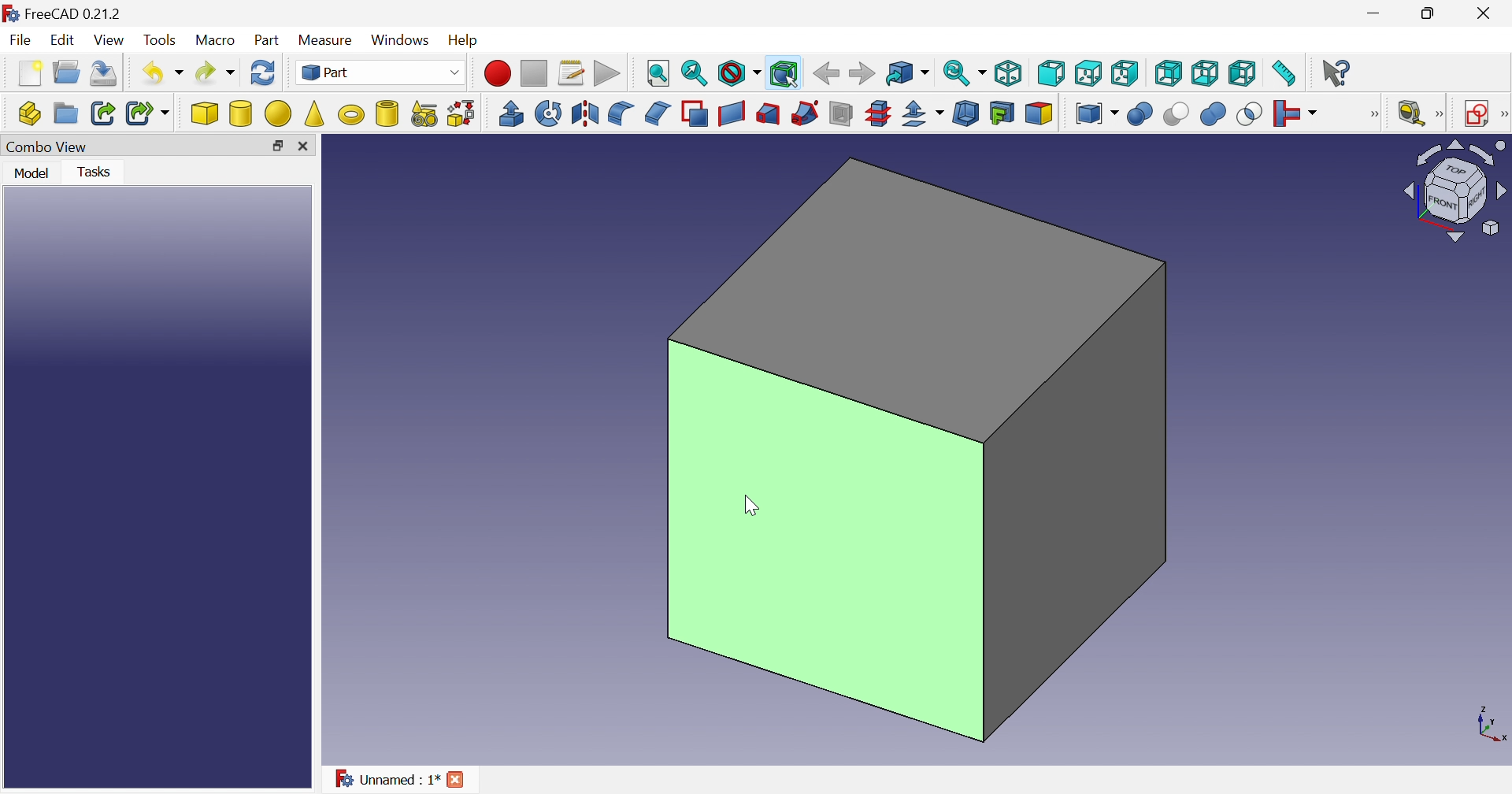  Describe the element at coordinates (1174, 114) in the screenshot. I see `Cut` at that location.